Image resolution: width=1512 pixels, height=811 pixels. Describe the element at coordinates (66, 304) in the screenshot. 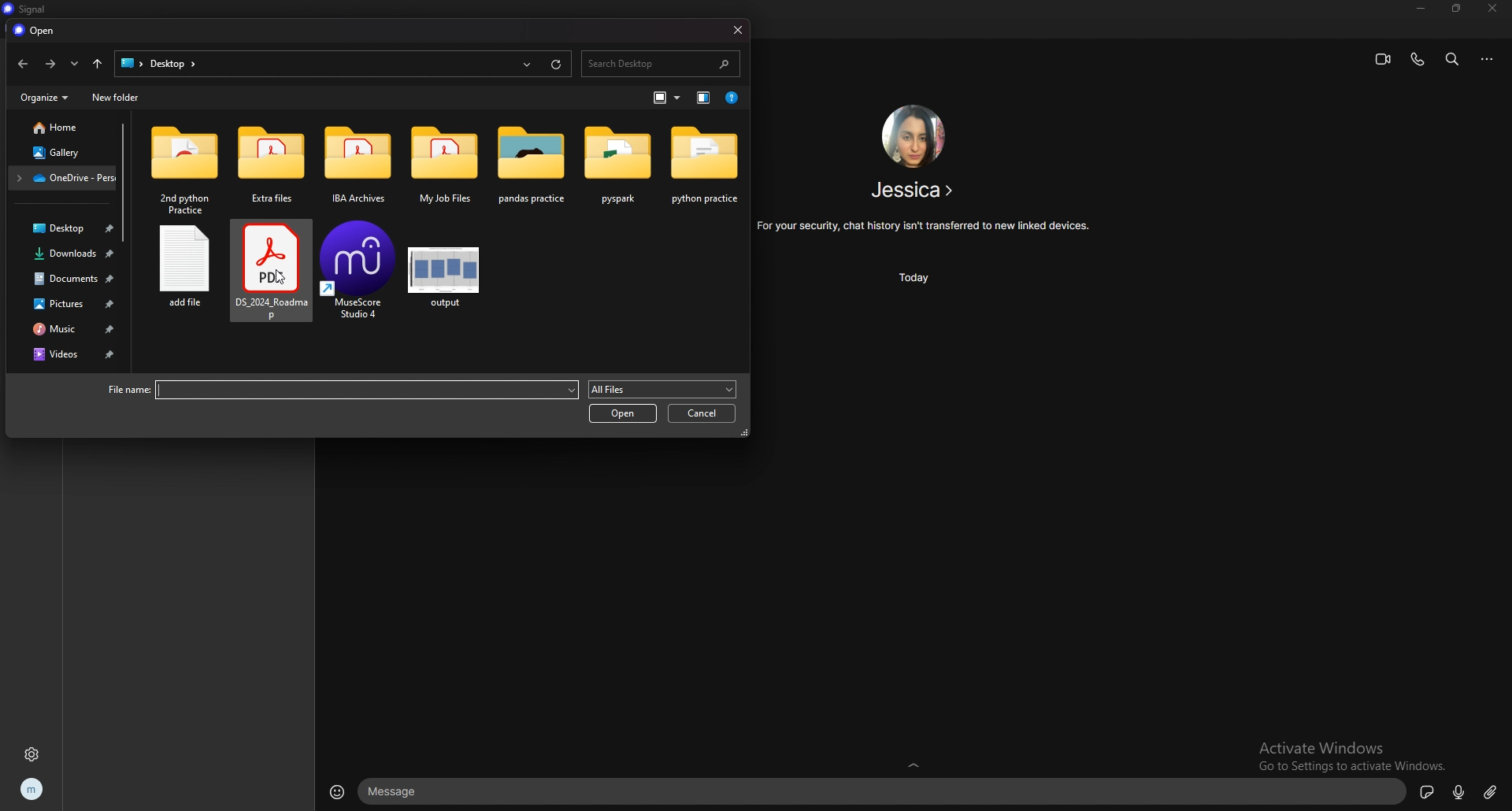

I see `pictures` at that location.